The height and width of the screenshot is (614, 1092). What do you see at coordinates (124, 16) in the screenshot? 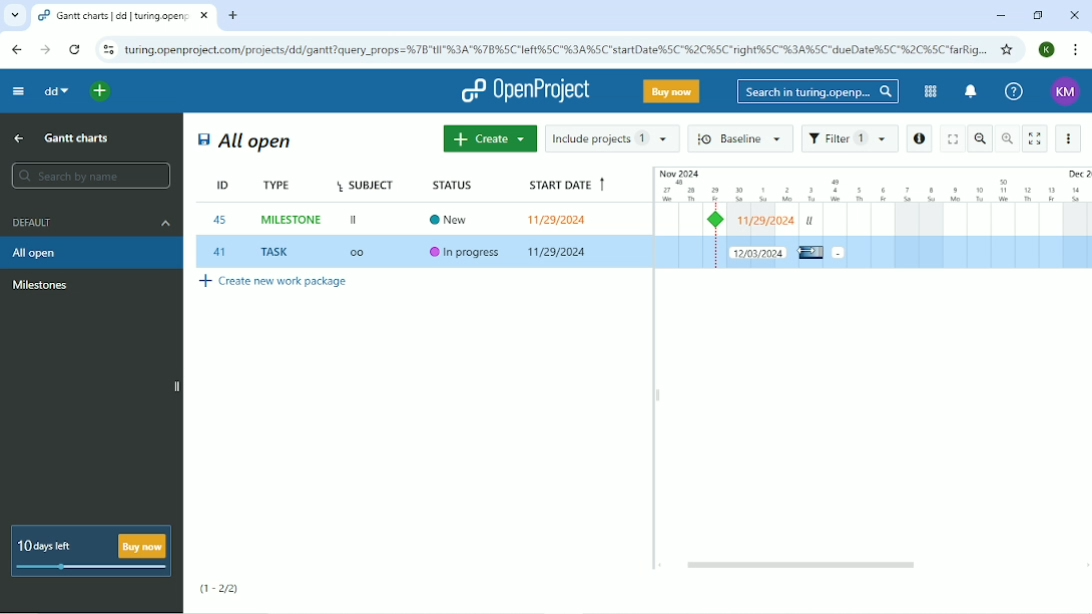
I see `Current tab` at bounding box center [124, 16].